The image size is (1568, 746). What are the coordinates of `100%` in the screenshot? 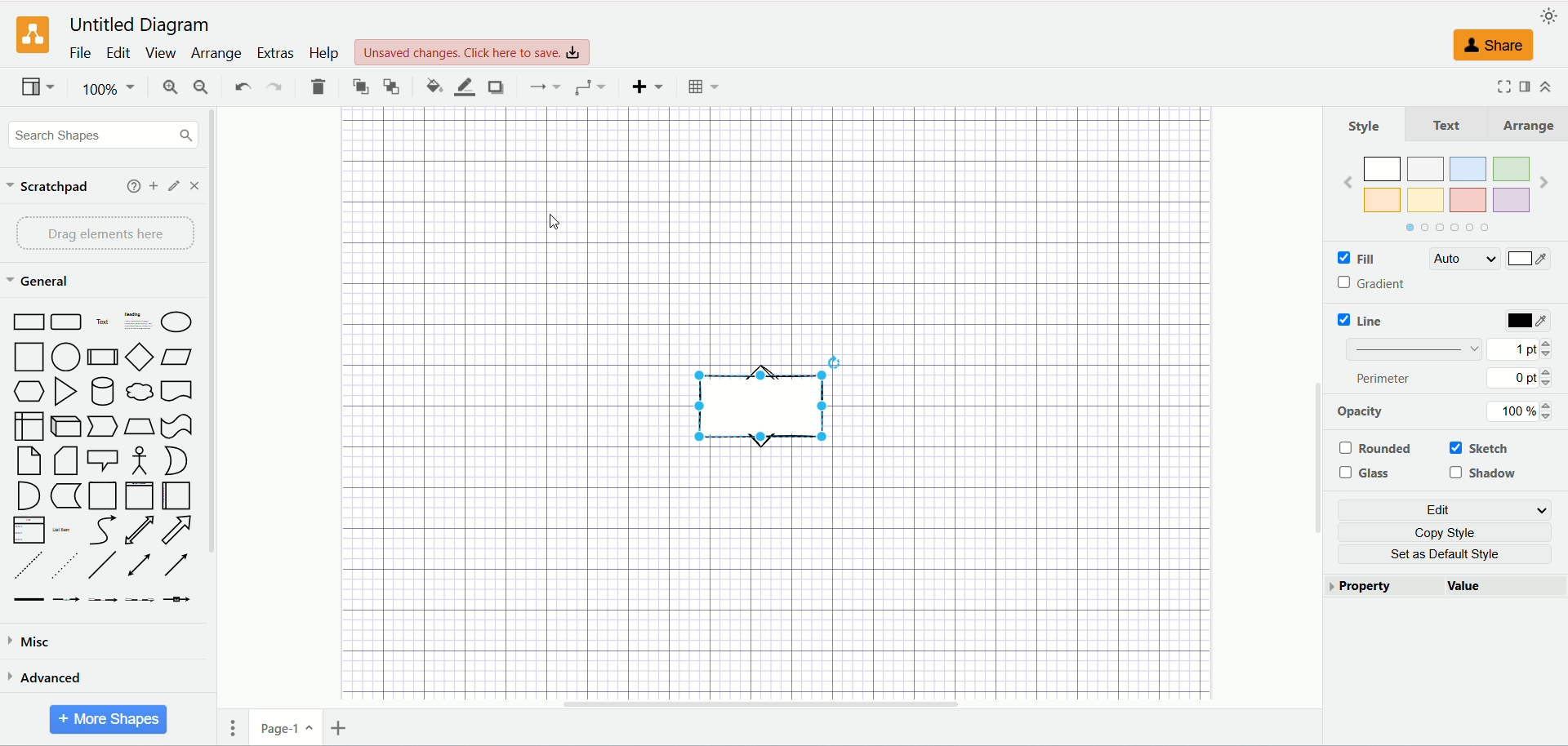 It's located at (1517, 411).